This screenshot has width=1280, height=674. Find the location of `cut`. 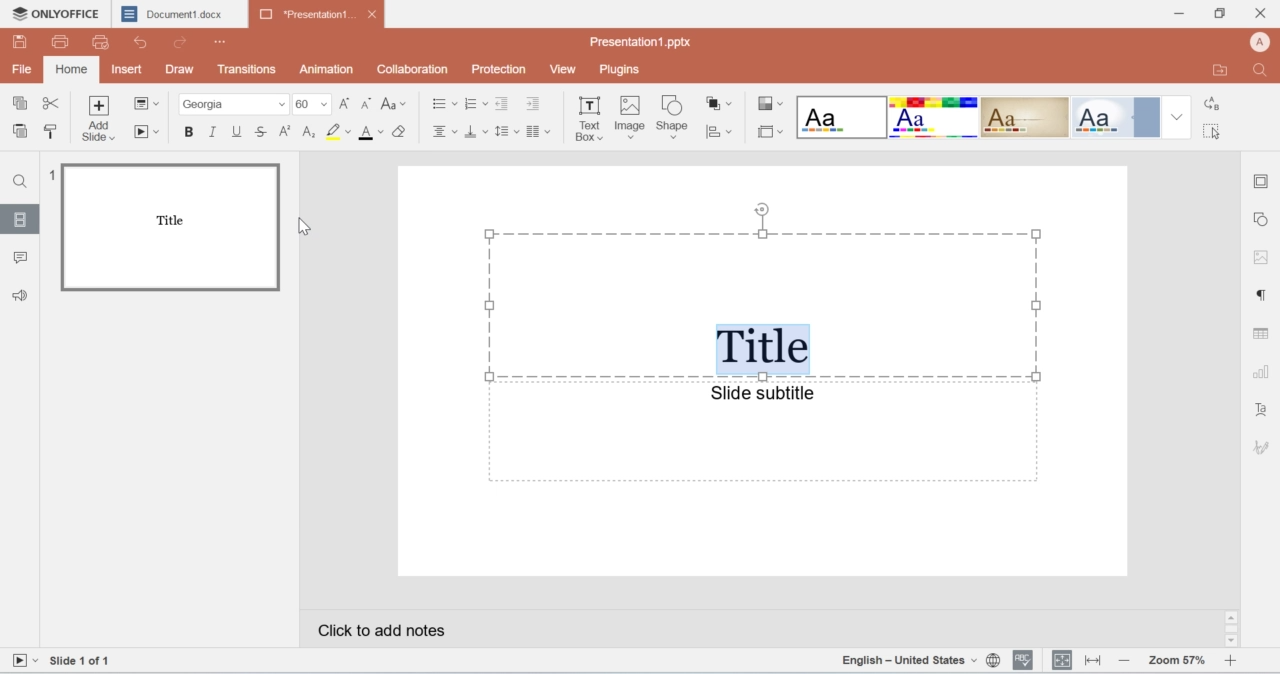

cut is located at coordinates (52, 105).